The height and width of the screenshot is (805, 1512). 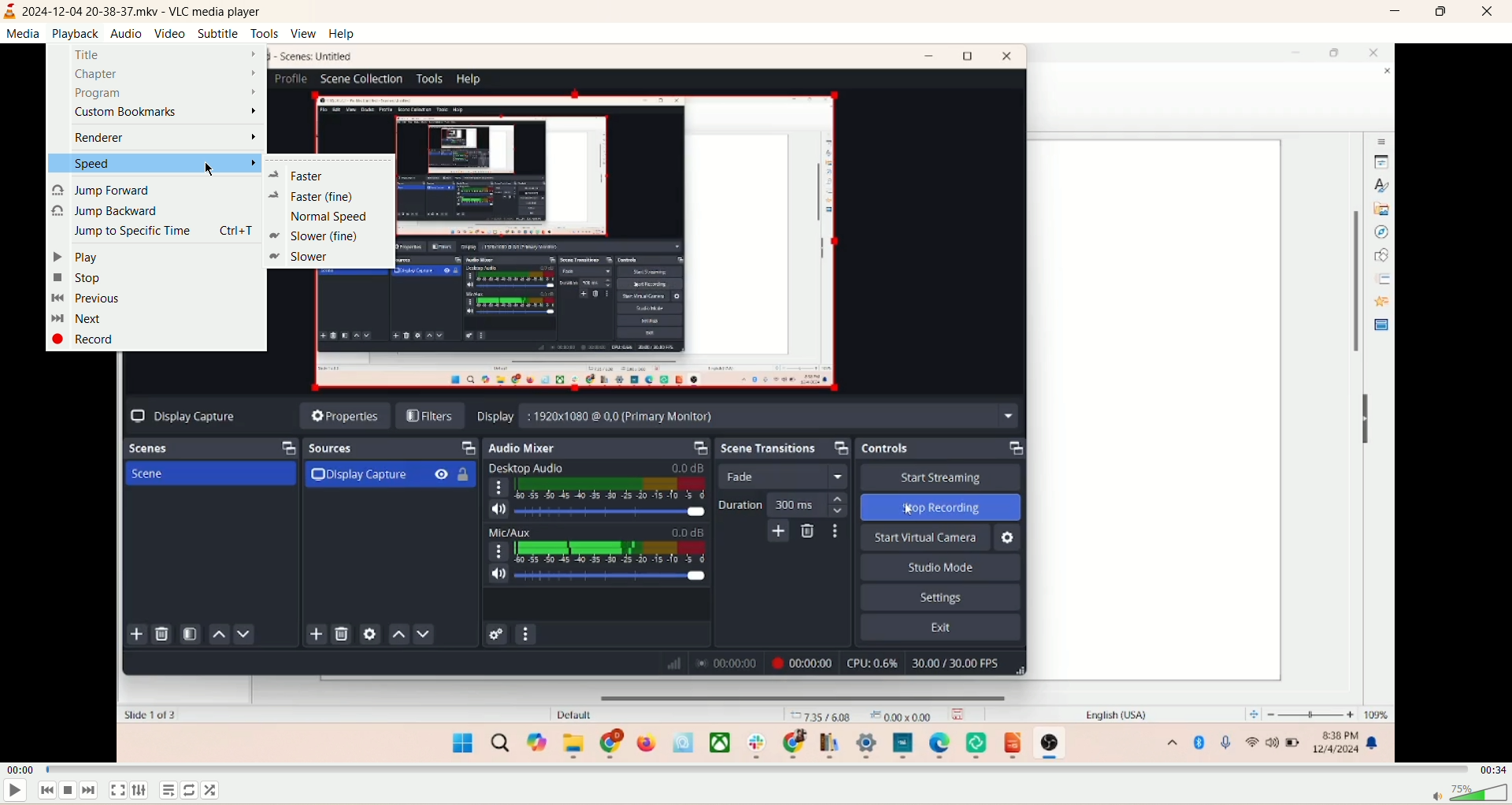 I want to click on faster (fine), so click(x=314, y=197).